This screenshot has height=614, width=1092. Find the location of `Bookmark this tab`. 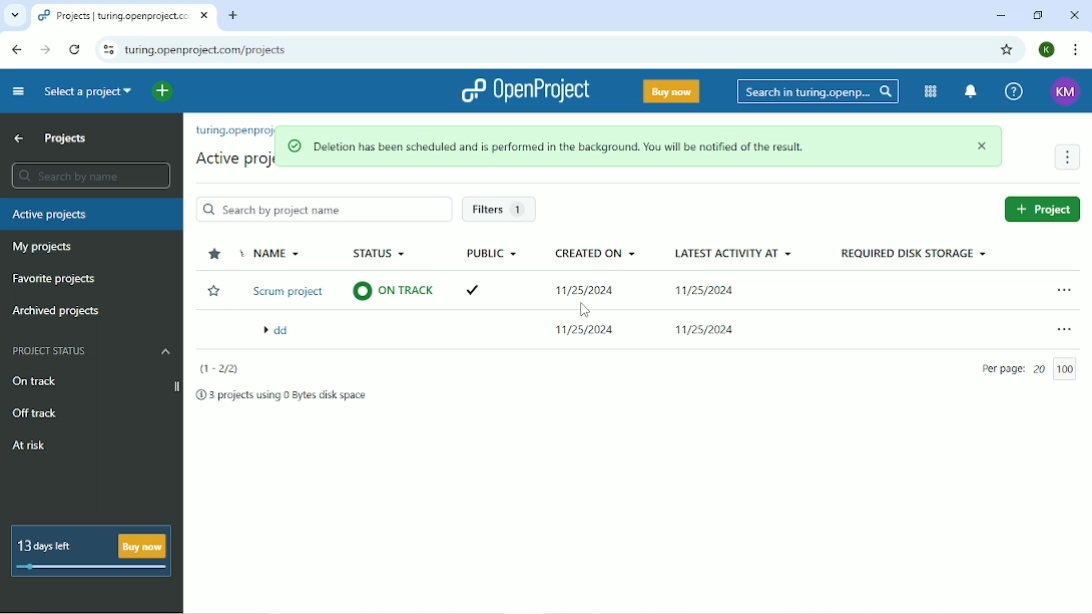

Bookmark this tab is located at coordinates (1008, 49).